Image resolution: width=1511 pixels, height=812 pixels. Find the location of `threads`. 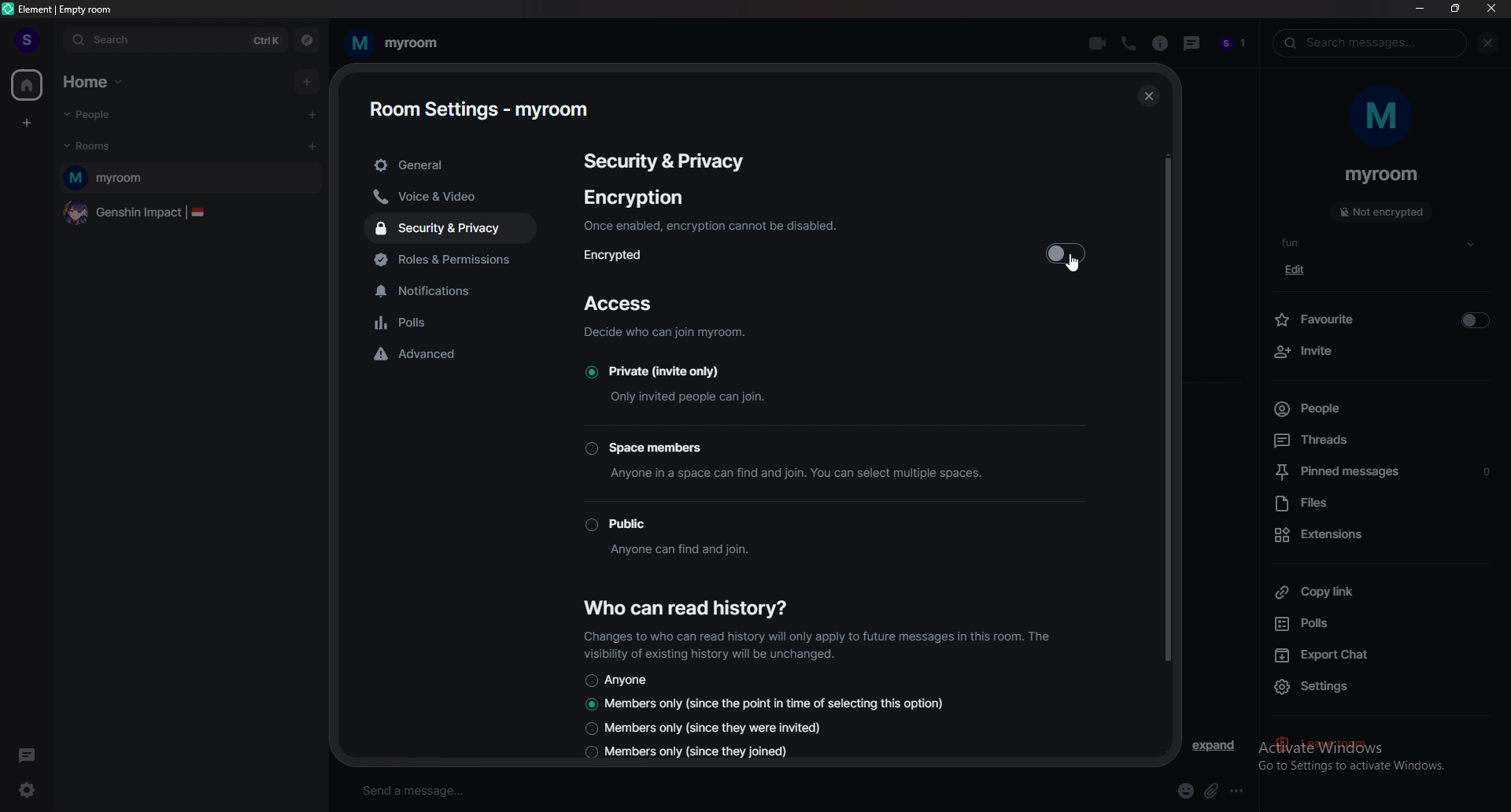

threads is located at coordinates (29, 753).